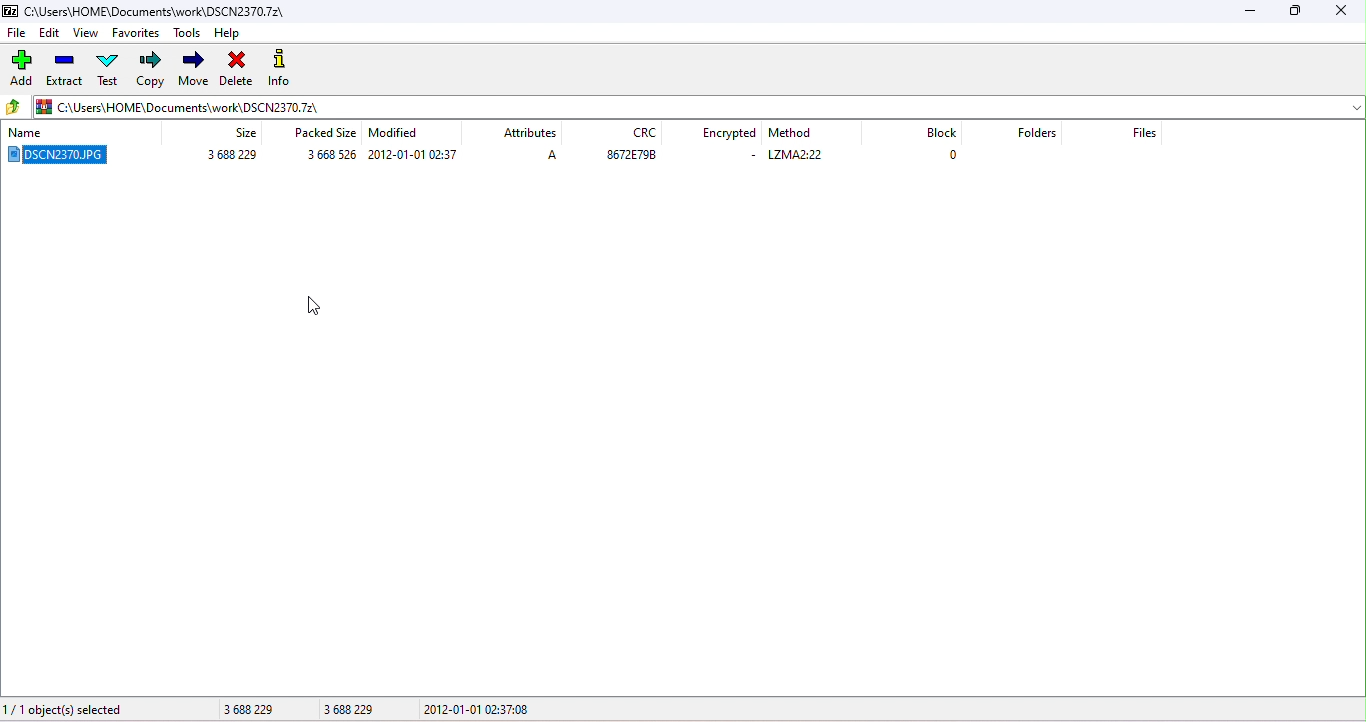 This screenshot has width=1366, height=722. I want to click on block, so click(943, 134).